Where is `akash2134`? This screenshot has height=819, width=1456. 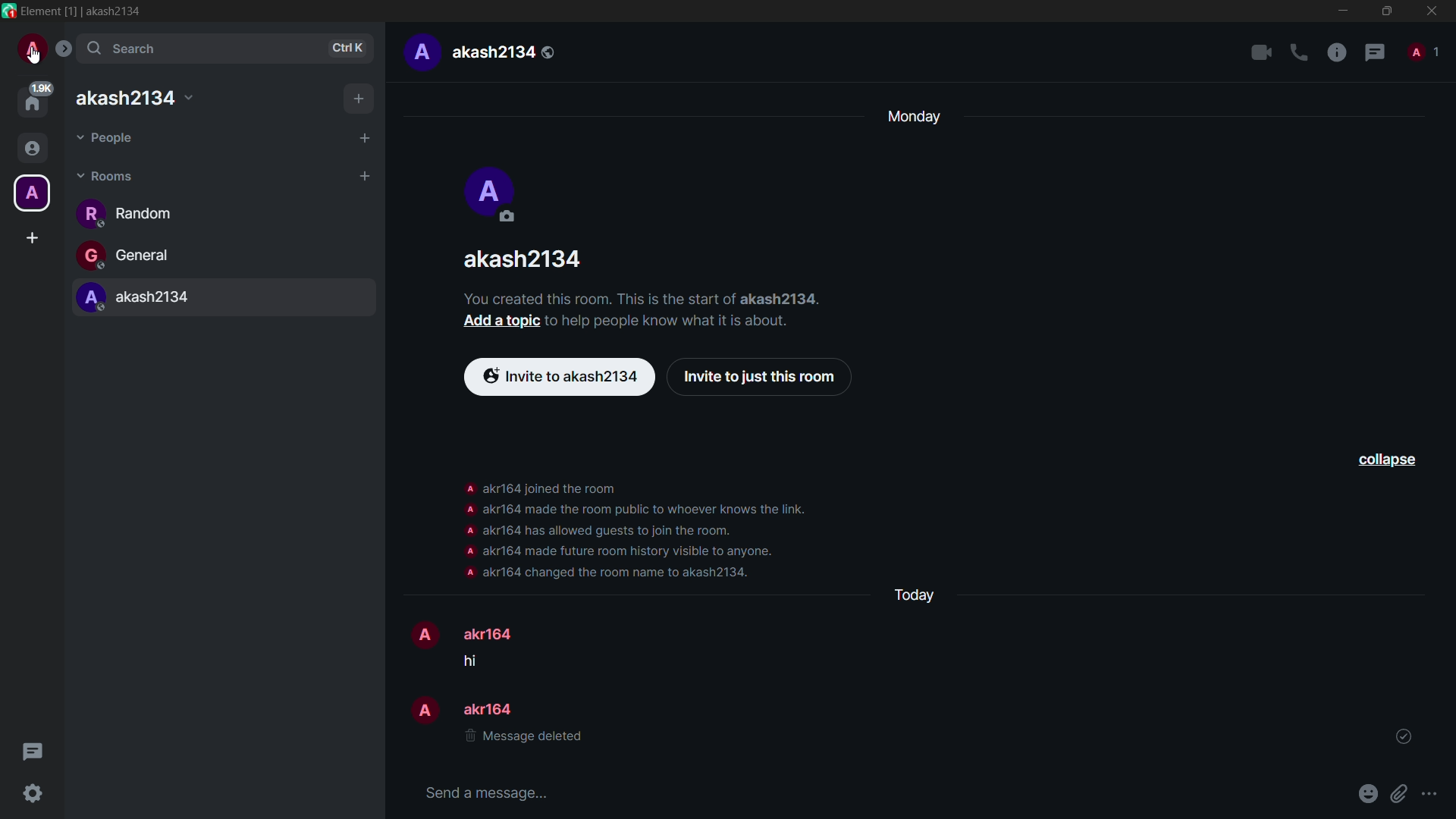
akash2134 is located at coordinates (230, 299).